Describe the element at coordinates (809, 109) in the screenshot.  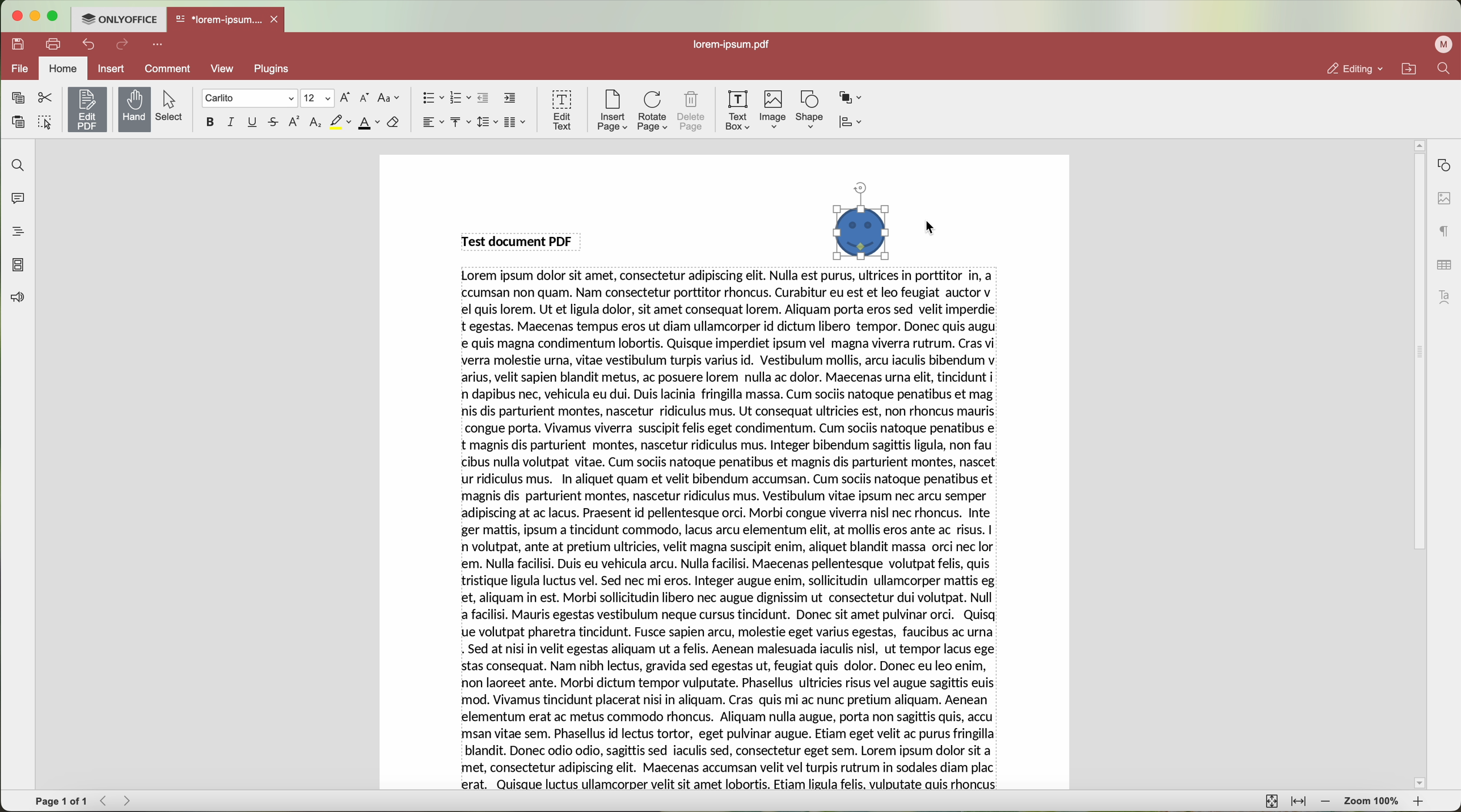
I see `shape` at that location.